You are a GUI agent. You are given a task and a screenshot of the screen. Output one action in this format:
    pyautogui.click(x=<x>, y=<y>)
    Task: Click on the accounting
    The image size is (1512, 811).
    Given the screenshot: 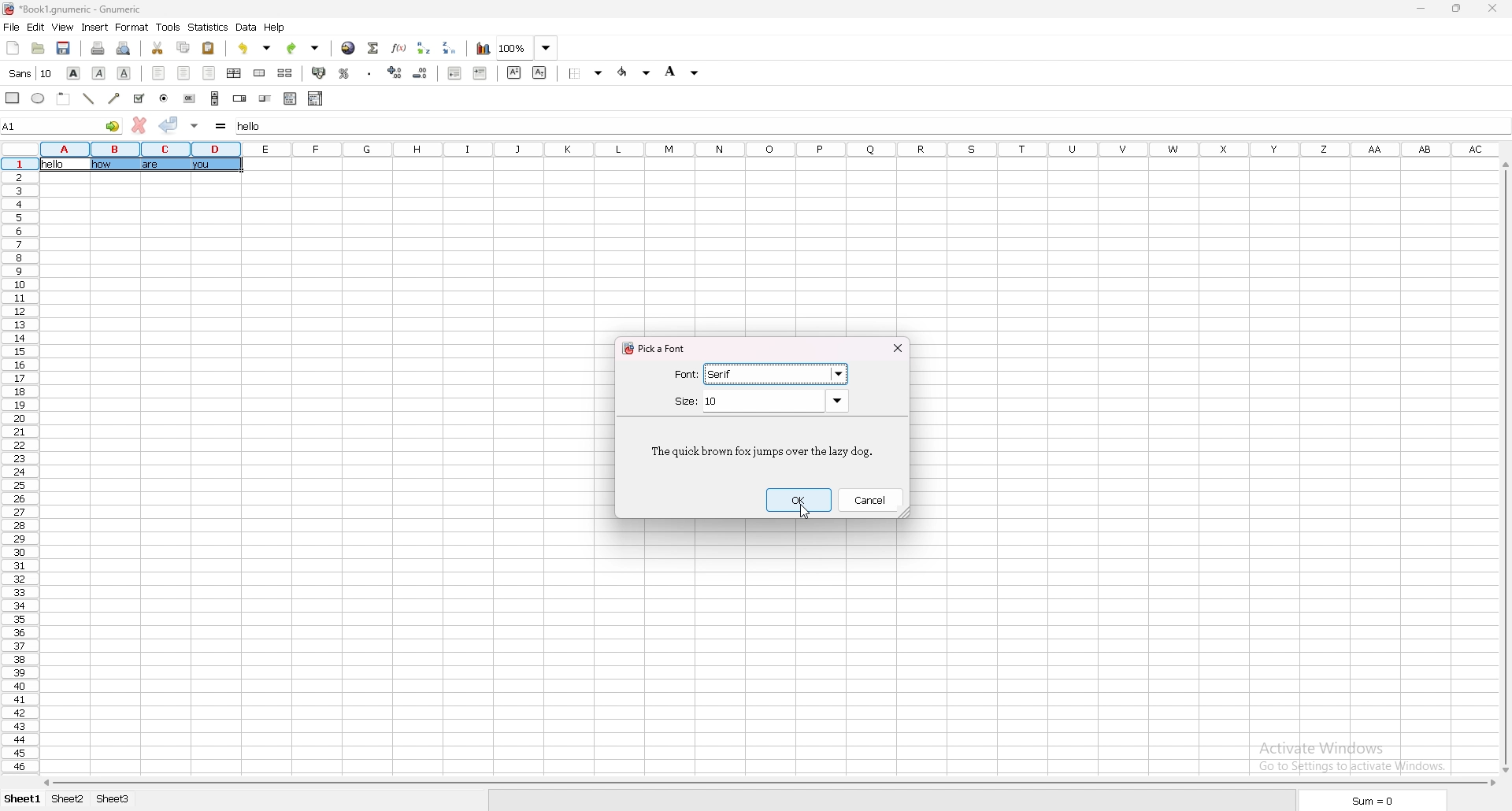 What is the action you would take?
    pyautogui.click(x=321, y=73)
    